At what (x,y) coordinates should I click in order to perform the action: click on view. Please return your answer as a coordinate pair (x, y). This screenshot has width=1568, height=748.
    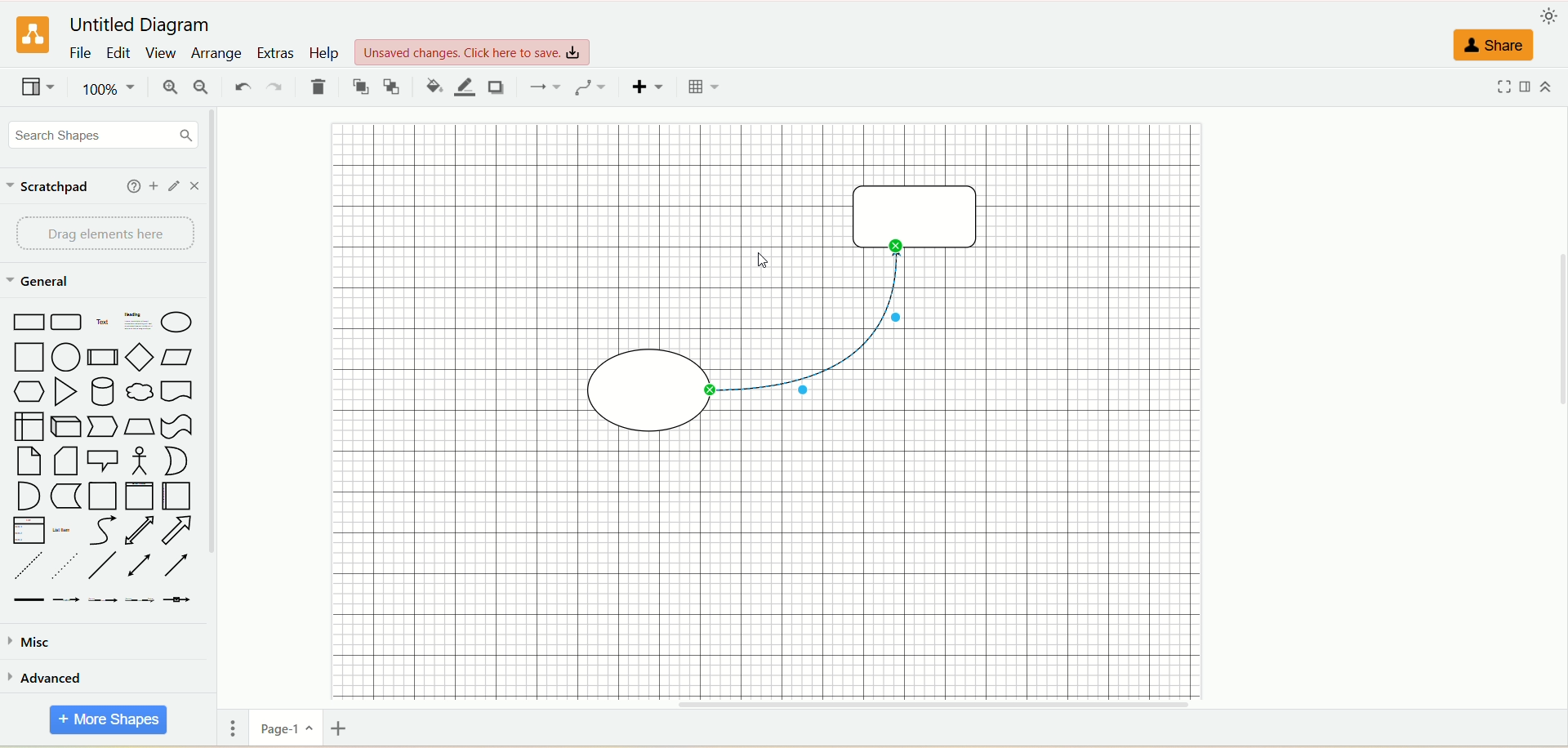
    Looking at the image, I should click on (474, 51).